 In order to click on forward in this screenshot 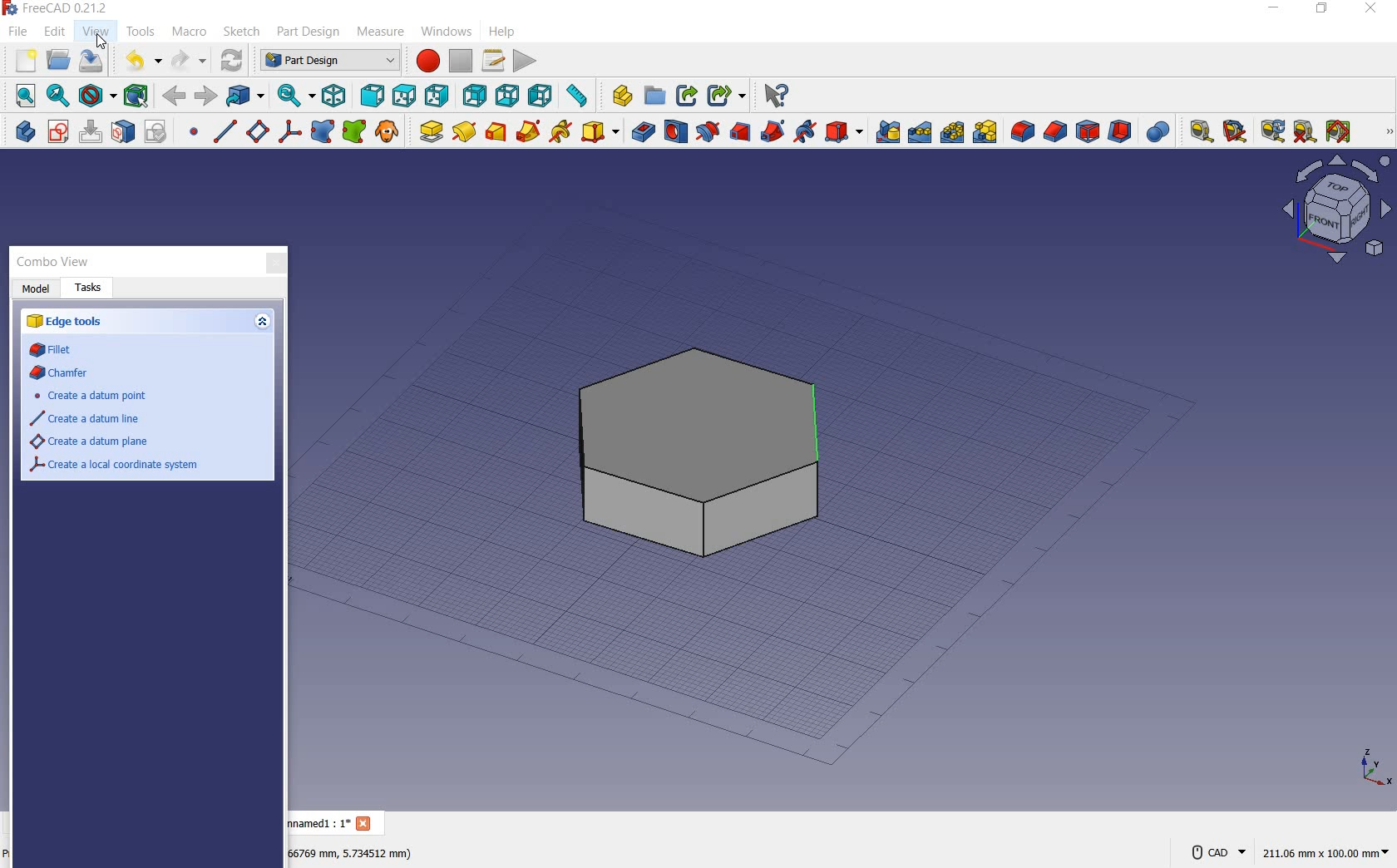, I will do `click(206, 96)`.